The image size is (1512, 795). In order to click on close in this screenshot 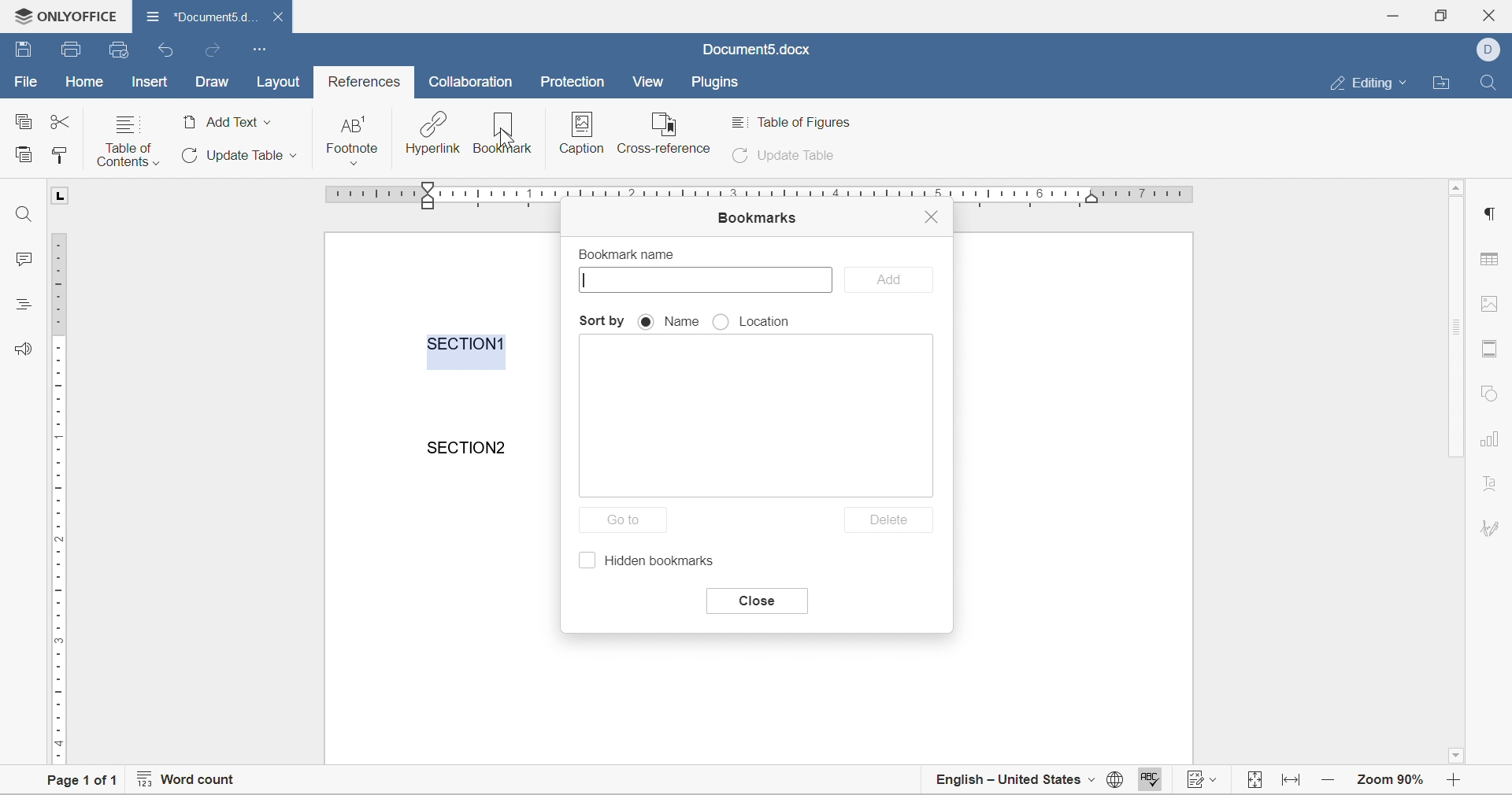, I will do `click(932, 215)`.